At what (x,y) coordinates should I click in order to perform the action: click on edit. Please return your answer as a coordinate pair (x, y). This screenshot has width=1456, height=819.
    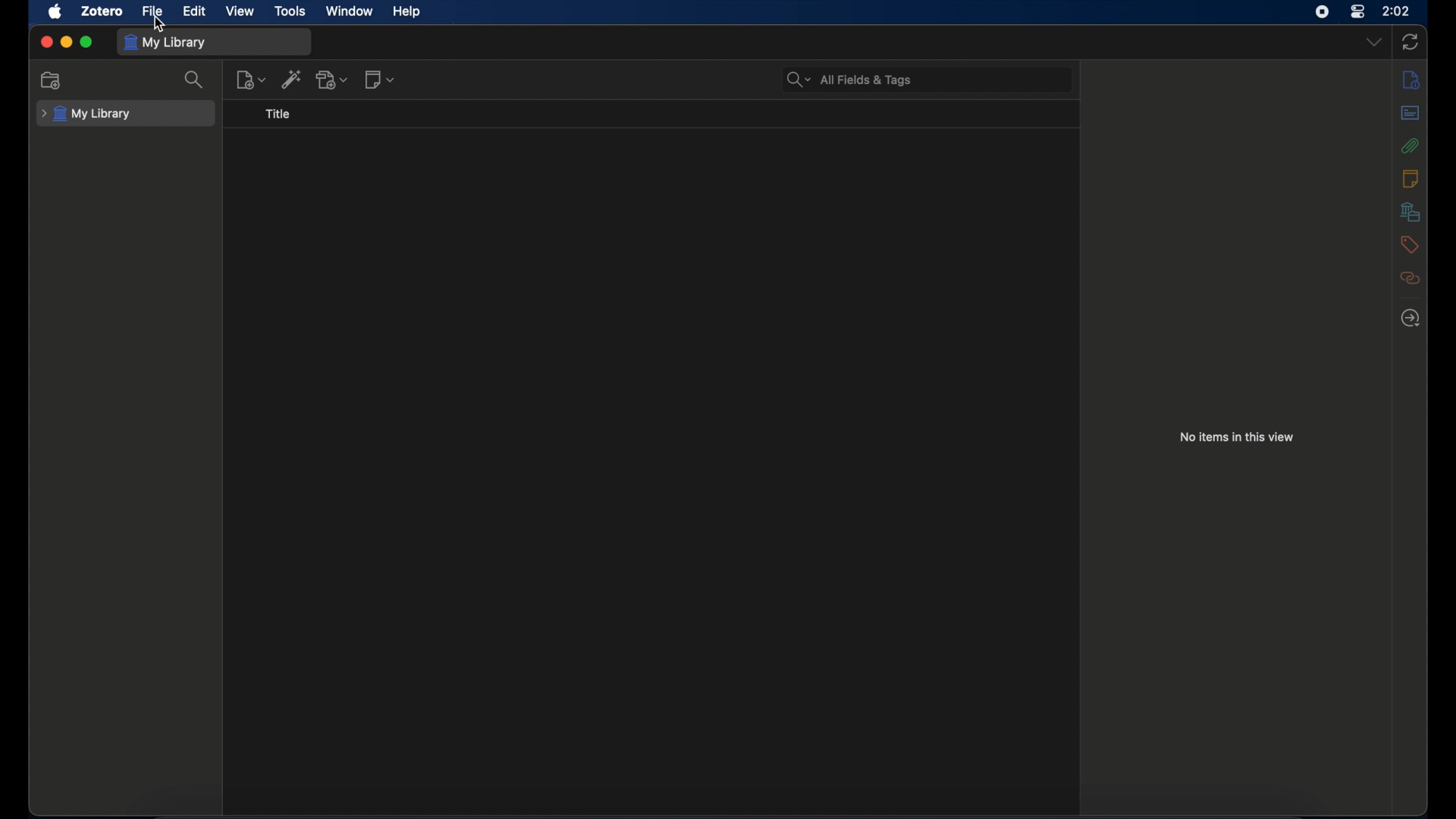
    Looking at the image, I should click on (196, 11).